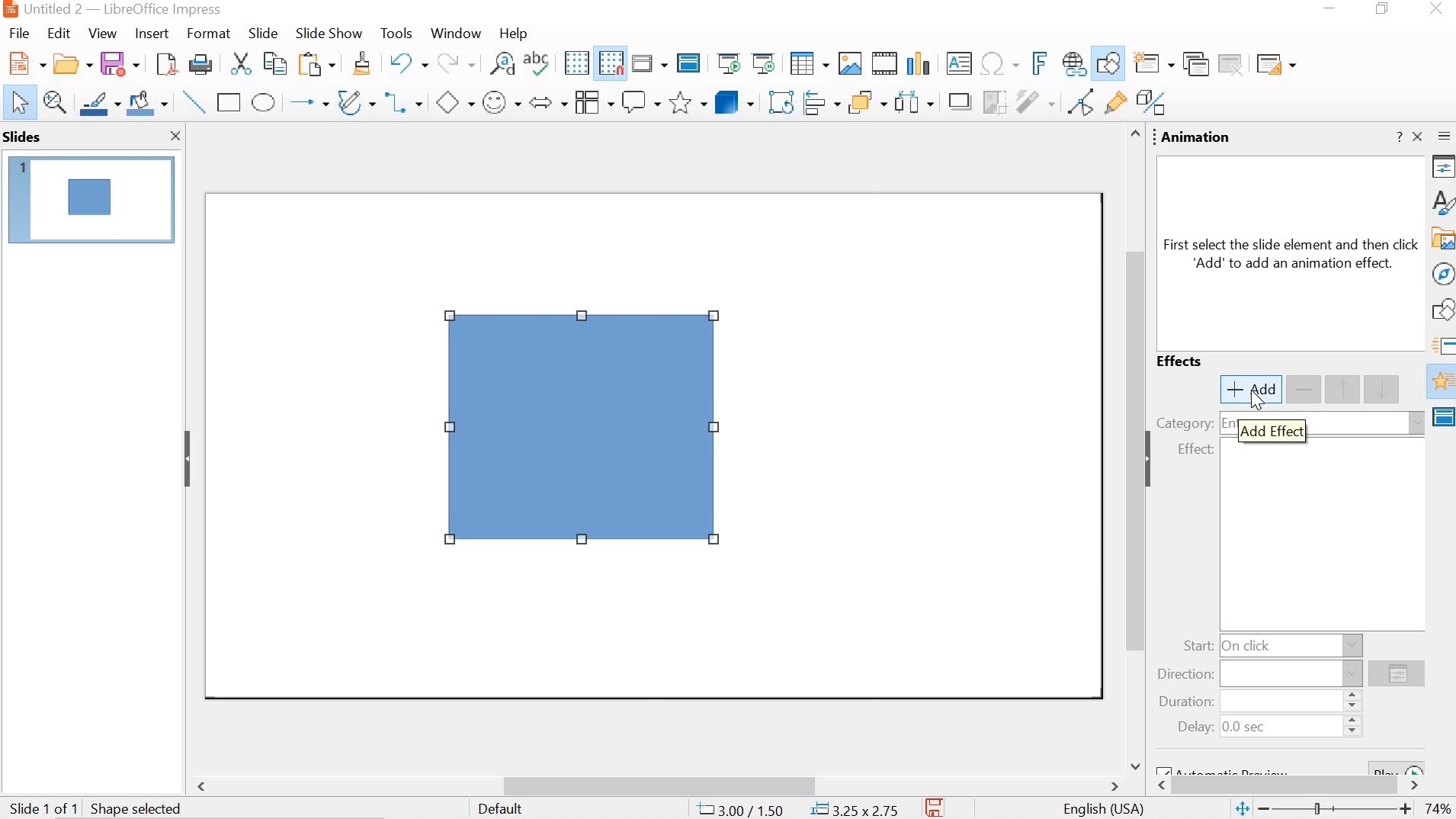 The height and width of the screenshot is (819, 1456). I want to click on objects to distribute, so click(915, 100).